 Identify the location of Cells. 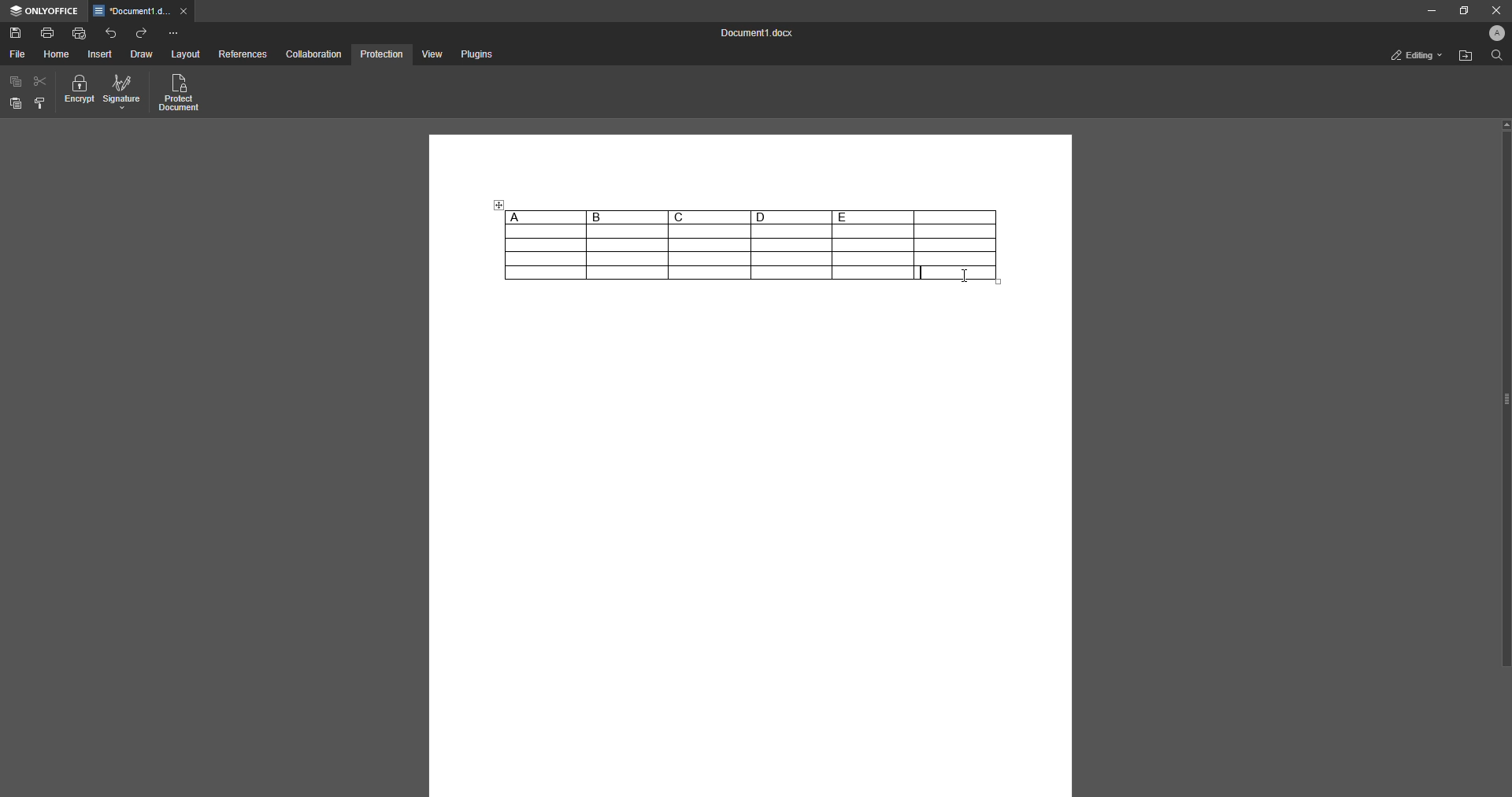
(702, 254).